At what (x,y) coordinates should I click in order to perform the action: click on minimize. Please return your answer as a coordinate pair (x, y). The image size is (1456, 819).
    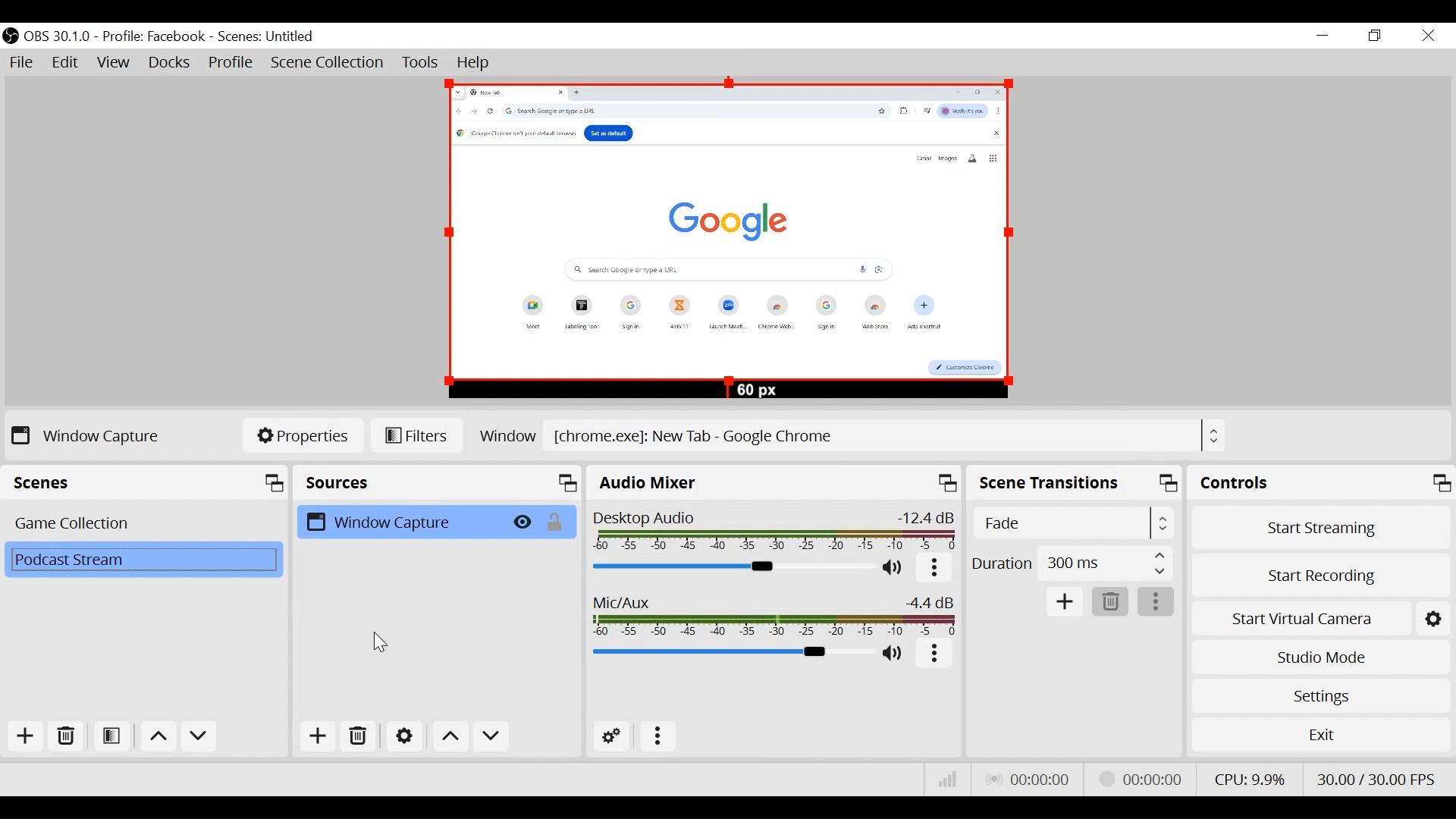
    Looking at the image, I should click on (1322, 36).